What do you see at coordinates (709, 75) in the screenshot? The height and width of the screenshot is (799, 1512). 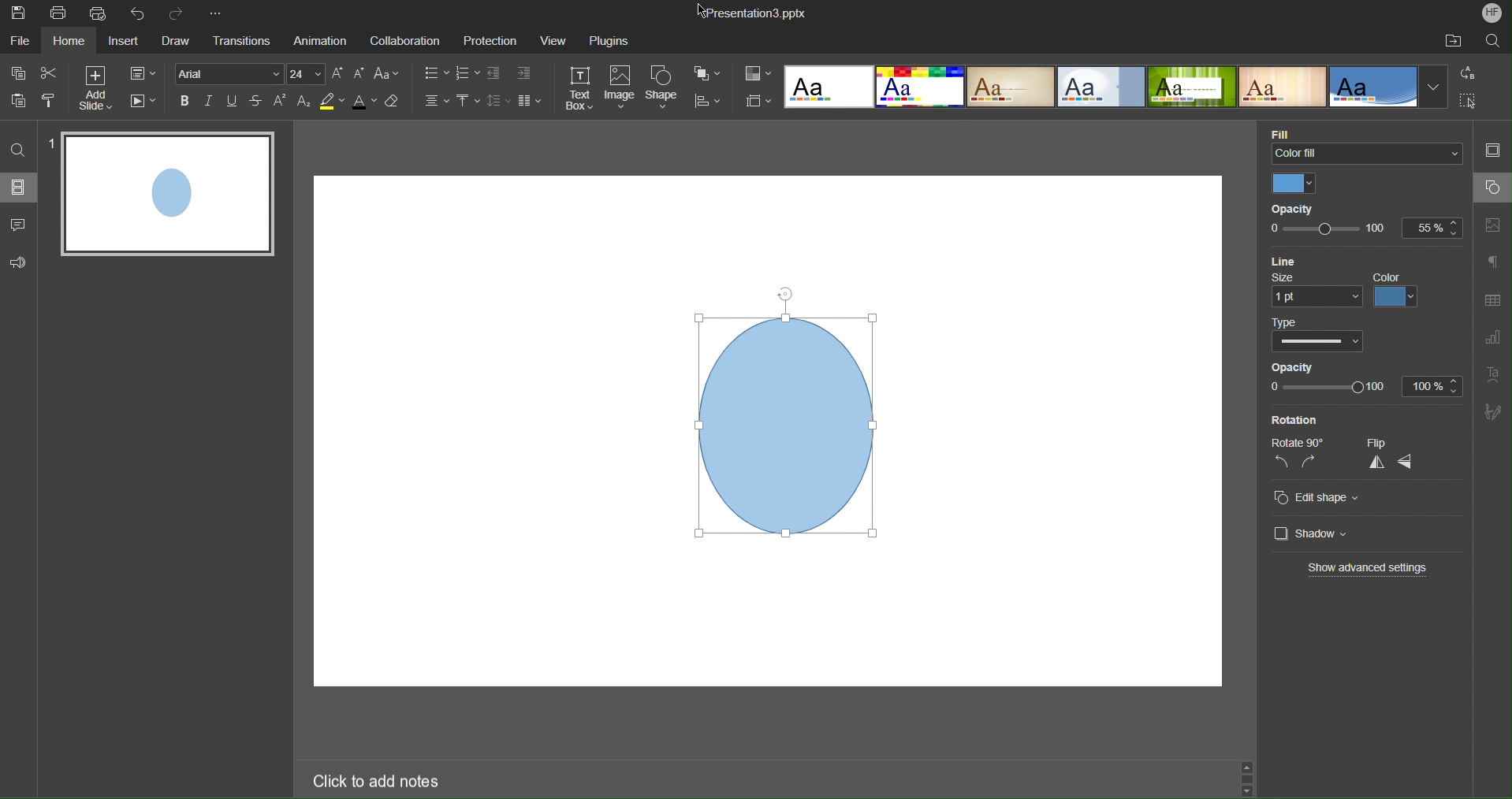 I see `Arrange` at bounding box center [709, 75].